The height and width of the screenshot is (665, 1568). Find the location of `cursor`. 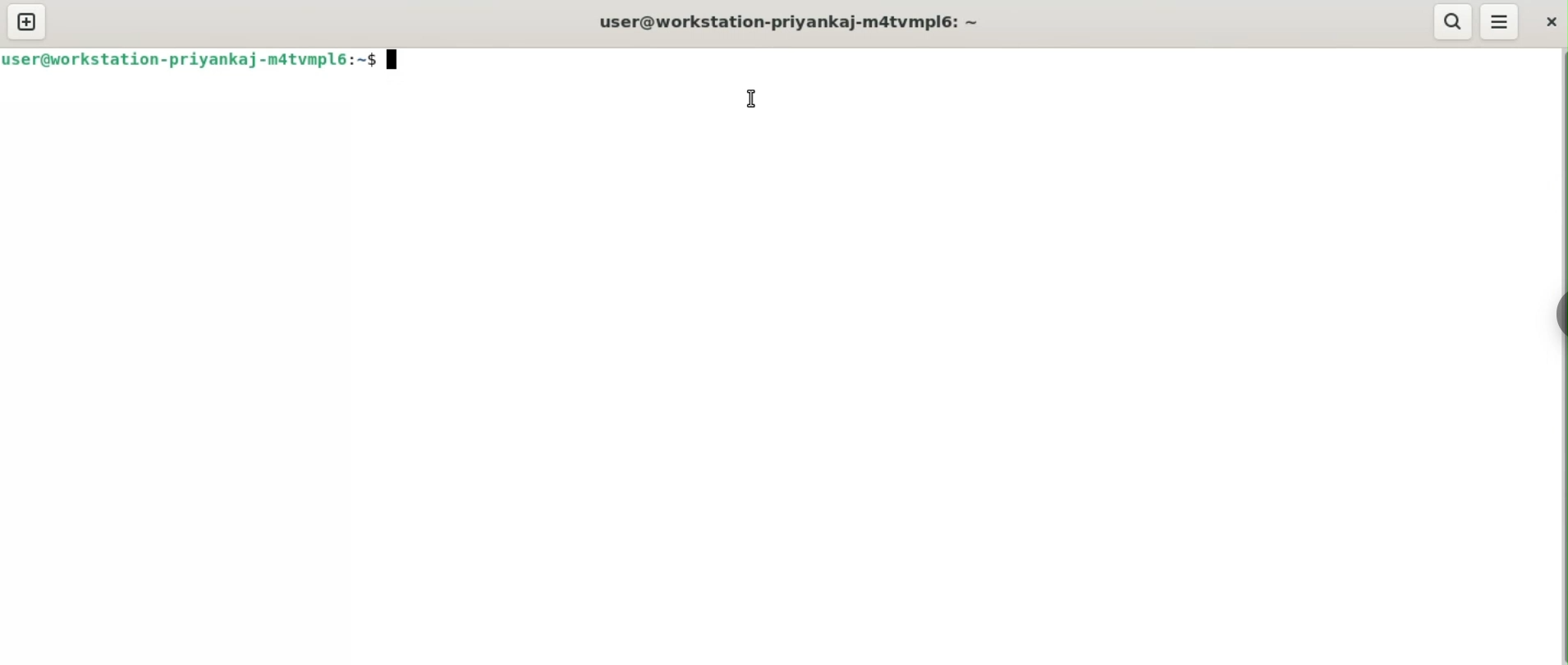

cursor is located at coordinates (752, 102).